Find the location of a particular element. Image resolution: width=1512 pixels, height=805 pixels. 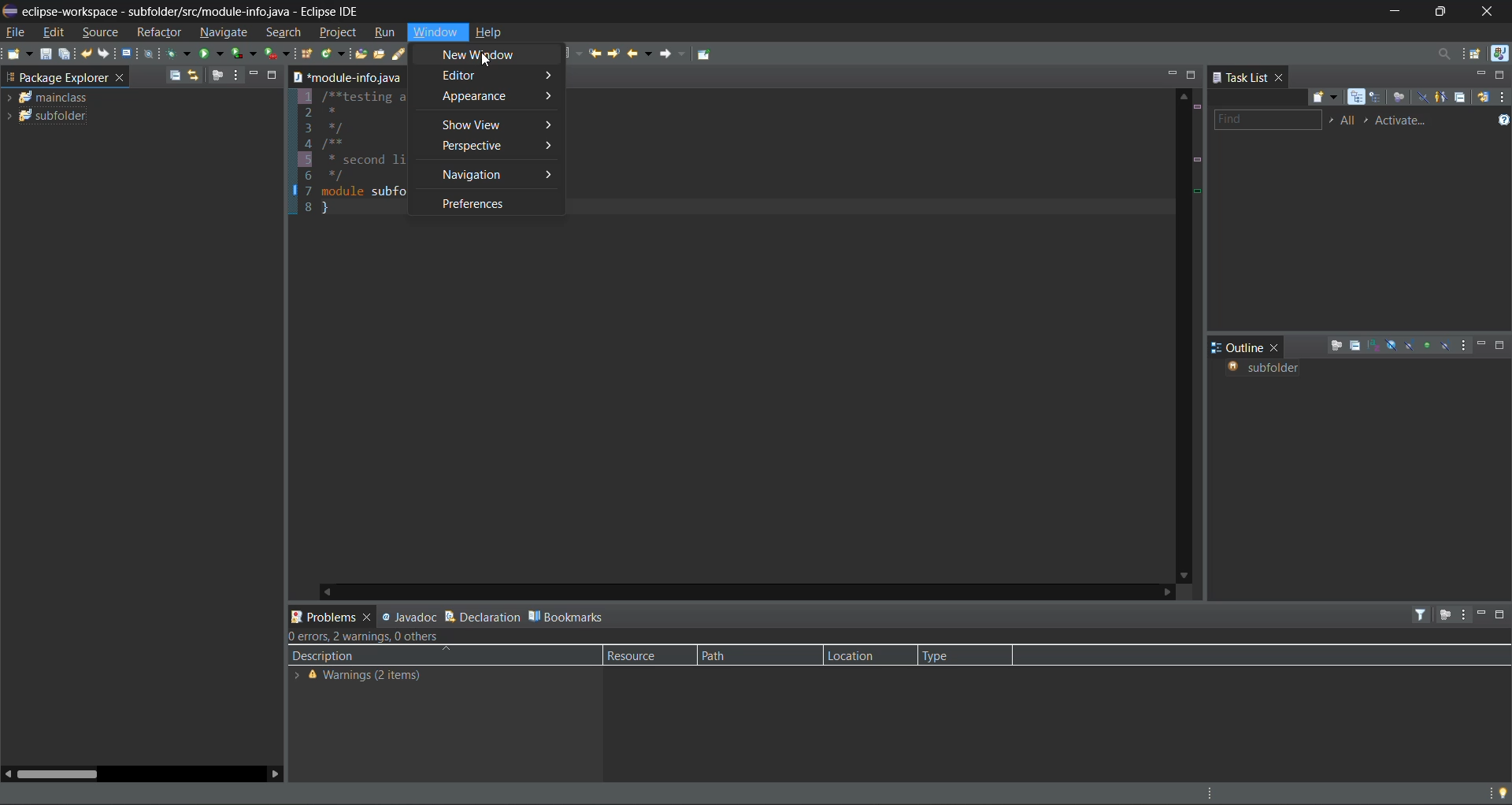

minimize is located at coordinates (1482, 347).